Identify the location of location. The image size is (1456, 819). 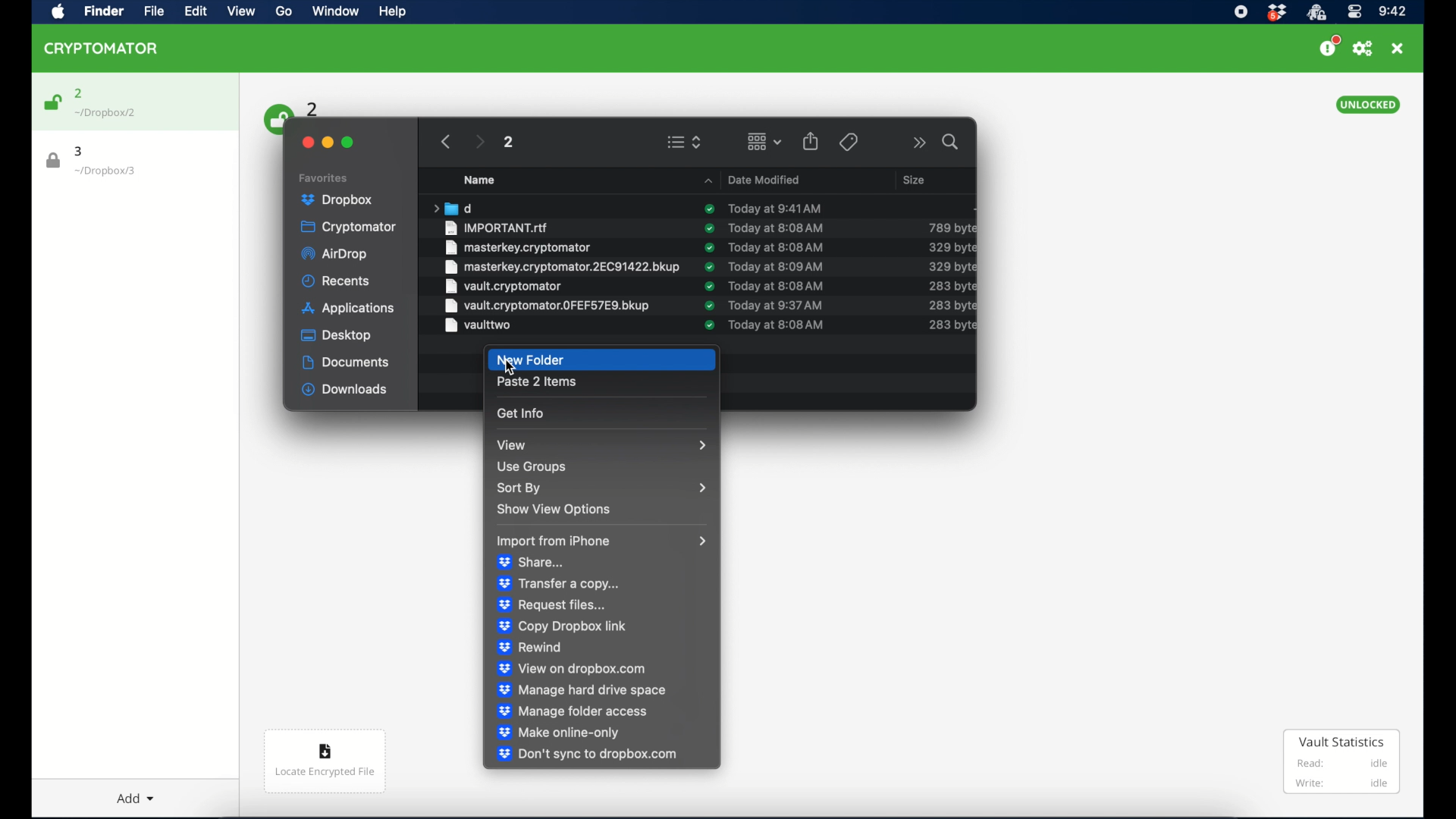
(105, 171).